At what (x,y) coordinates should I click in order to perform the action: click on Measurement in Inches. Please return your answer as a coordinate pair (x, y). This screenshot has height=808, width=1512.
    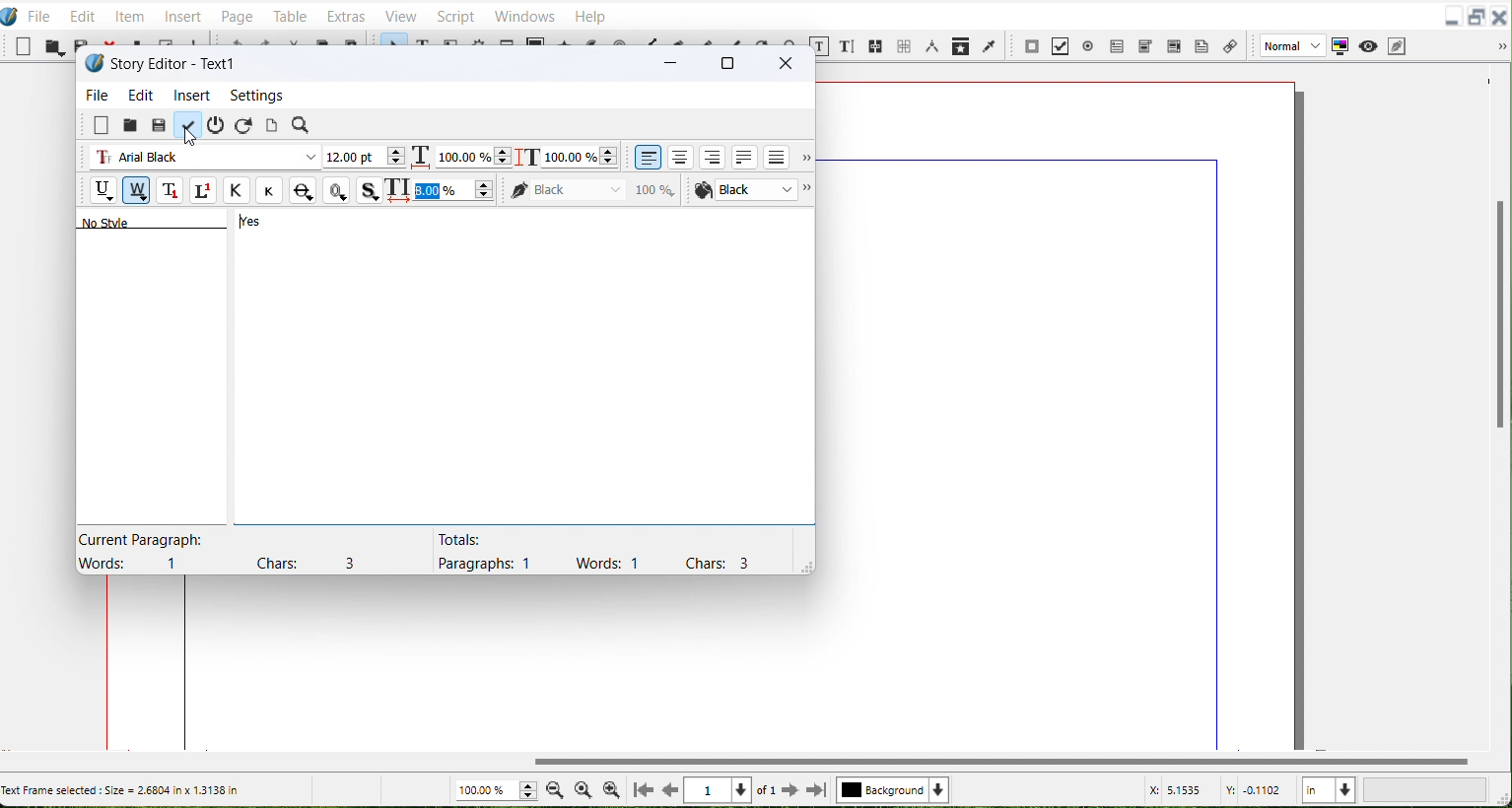
    Looking at the image, I should click on (1329, 788).